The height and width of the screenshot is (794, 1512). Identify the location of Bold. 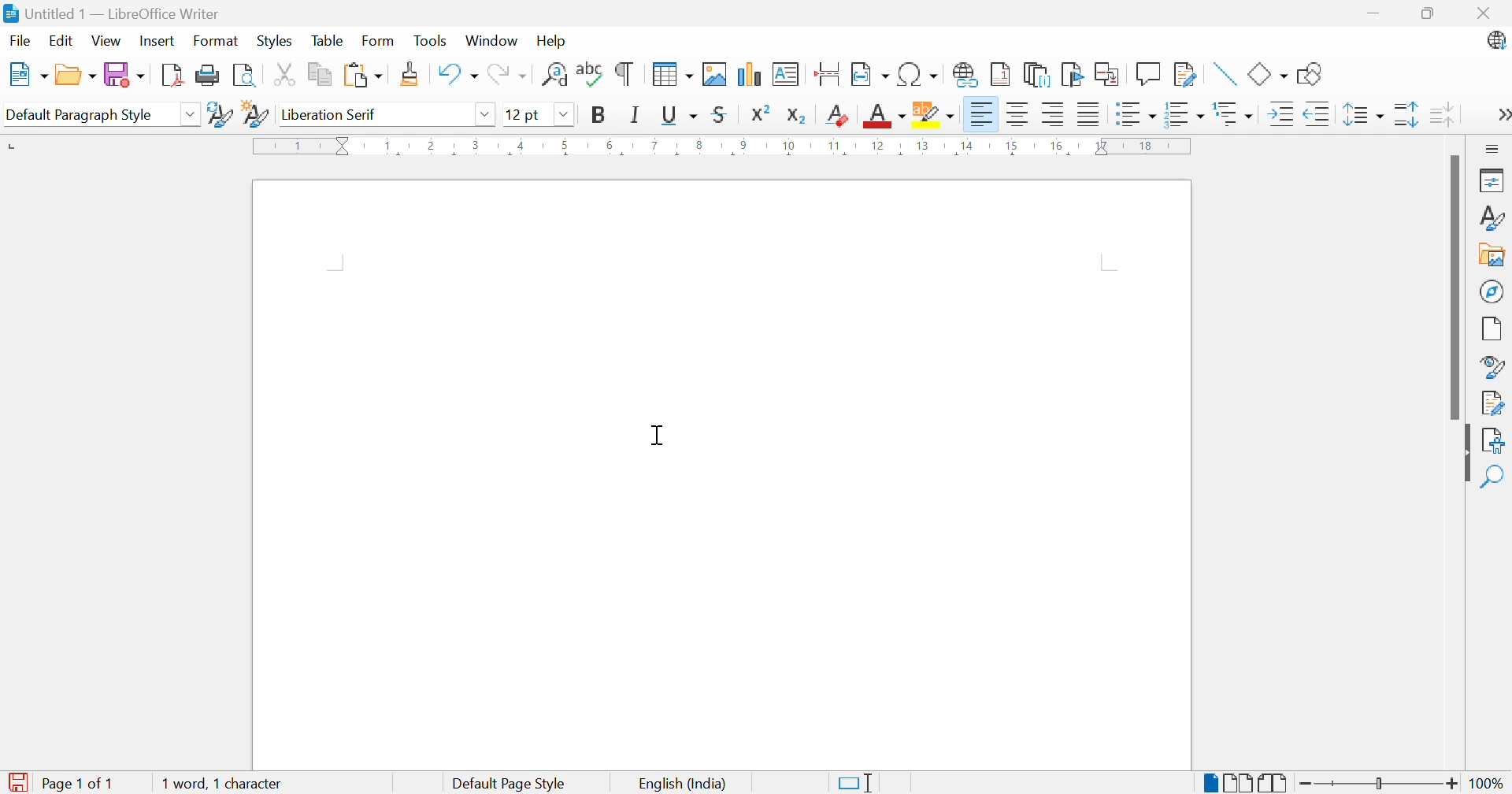
(595, 114).